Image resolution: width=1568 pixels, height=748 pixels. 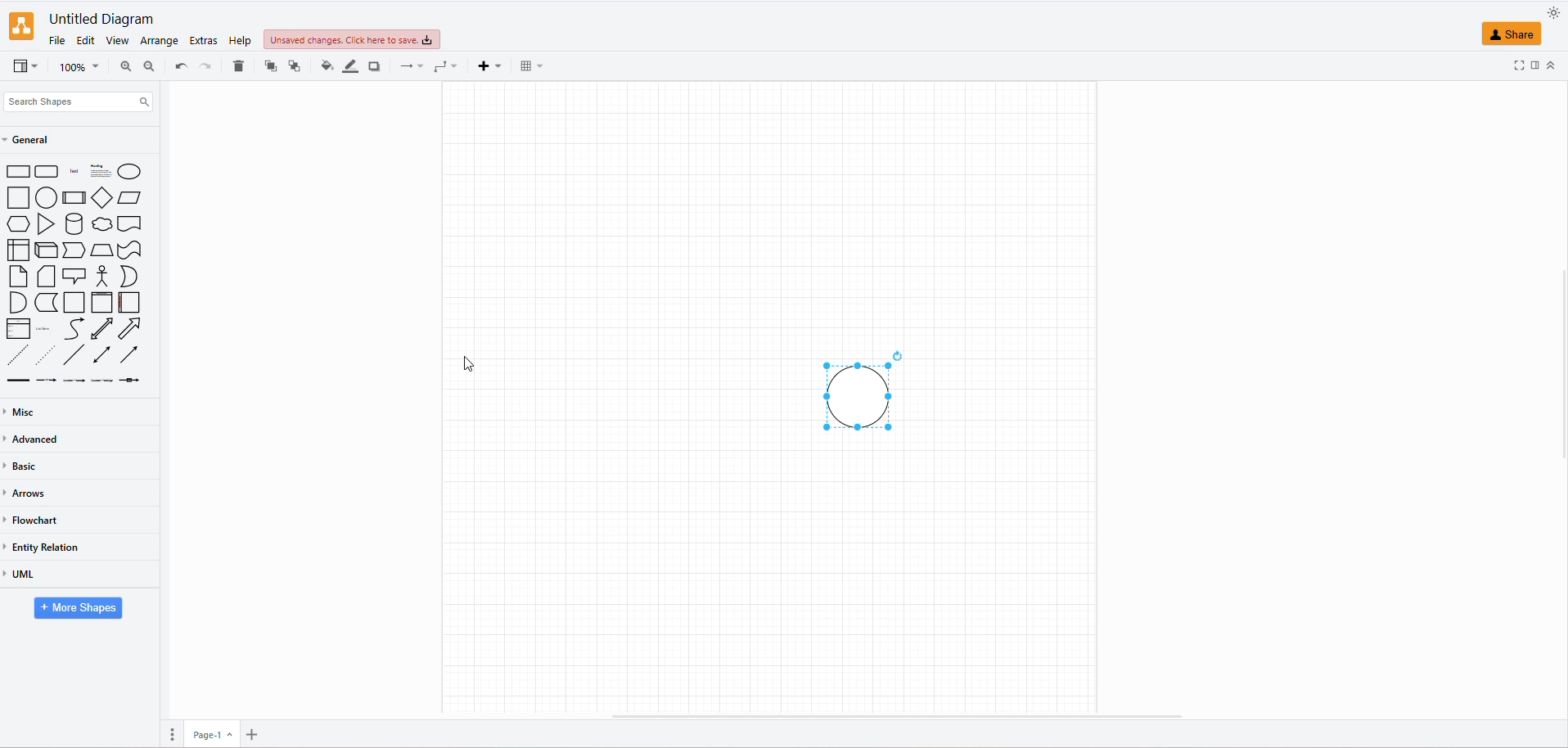 I want to click on BASIC, so click(x=25, y=465).